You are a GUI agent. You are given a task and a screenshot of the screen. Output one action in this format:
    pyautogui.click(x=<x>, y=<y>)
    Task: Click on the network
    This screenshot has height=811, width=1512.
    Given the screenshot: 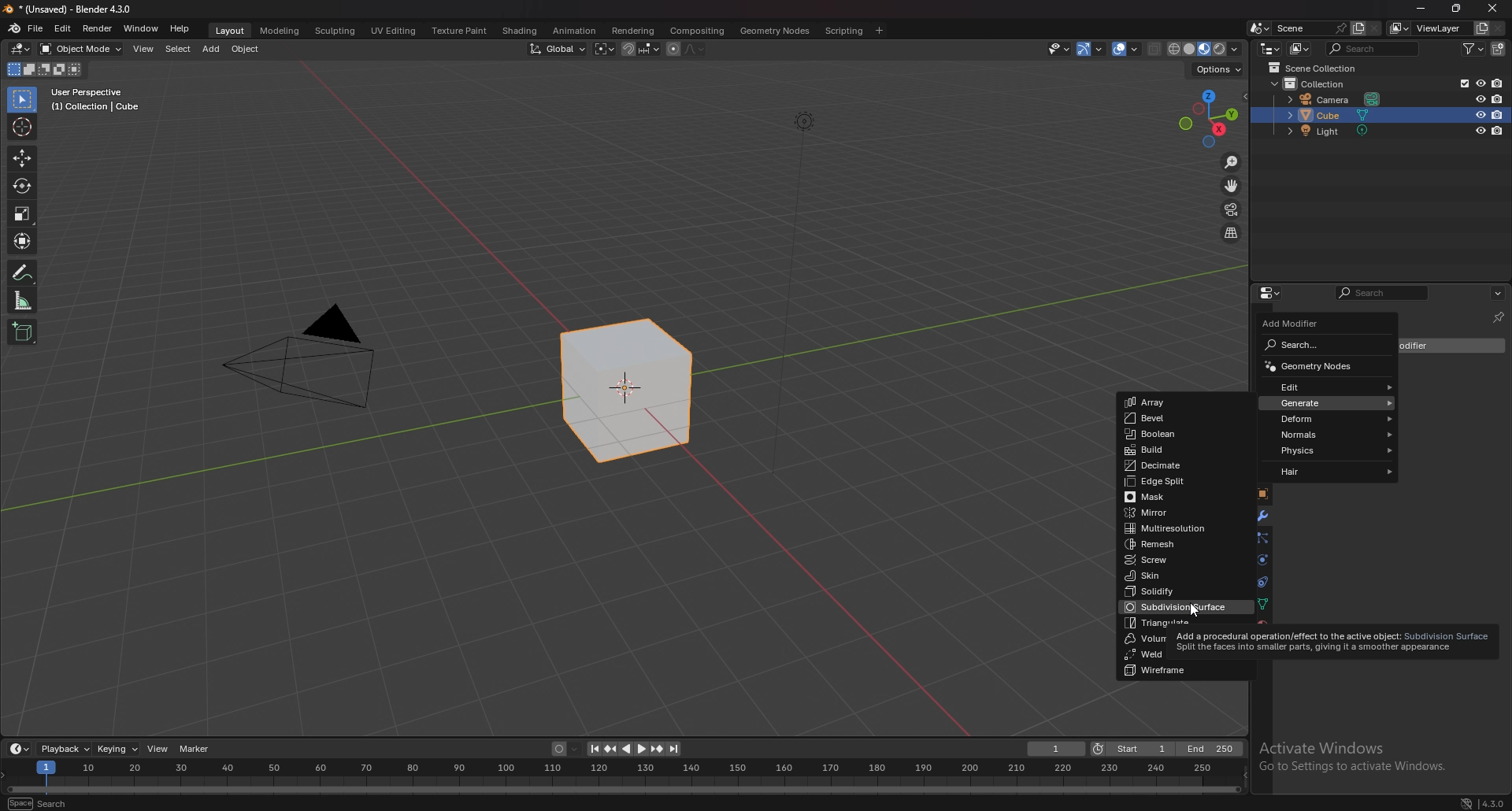 What is the action you would take?
    pyautogui.click(x=1464, y=800)
    